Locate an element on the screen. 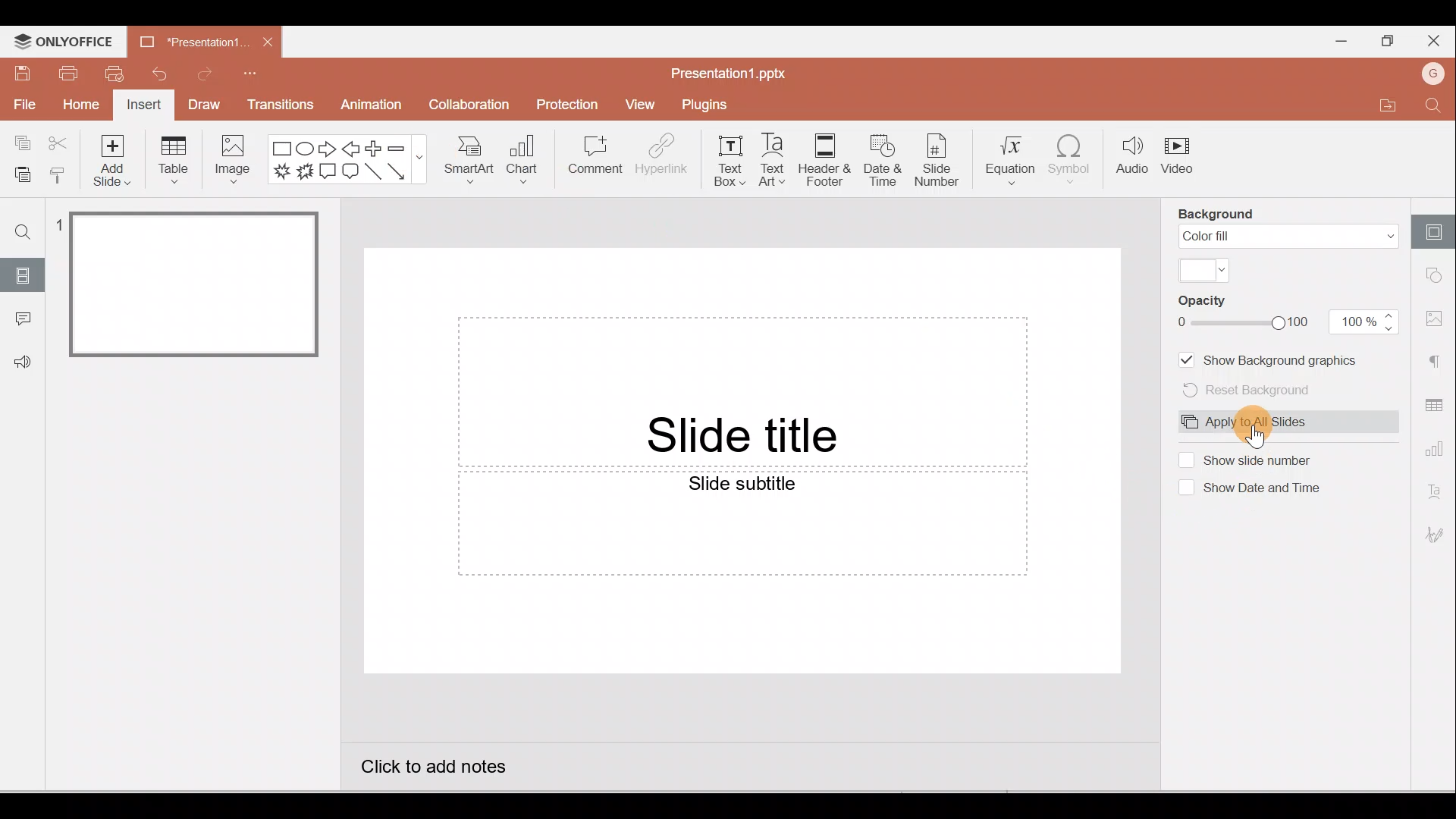  Add slide is located at coordinates (117, 160).